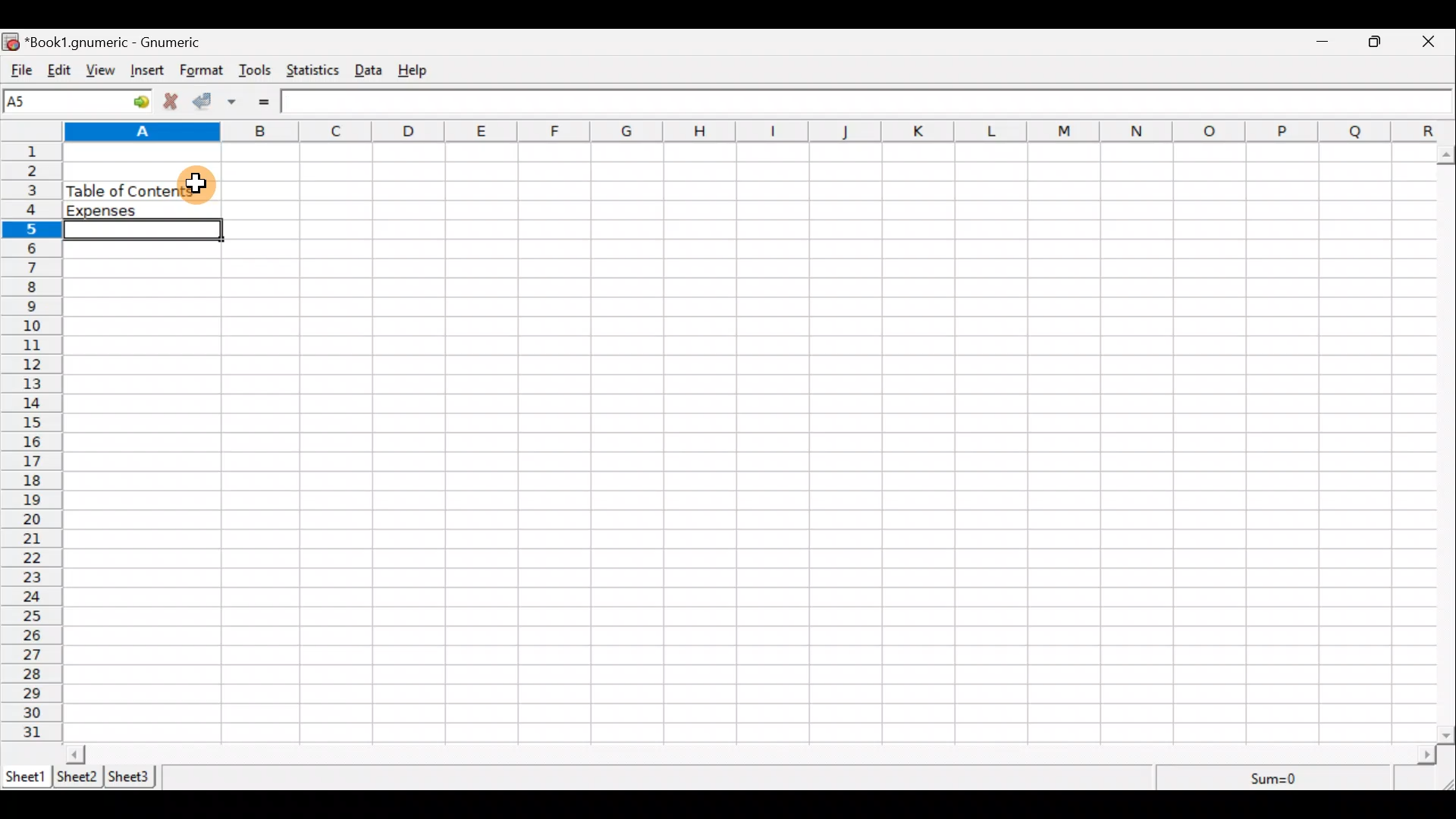 This screenshot has width=1456, height=819. What do you see at coordinates (12, 42) in the screenshot?
I see `icon` at bounding box center [12, 42].